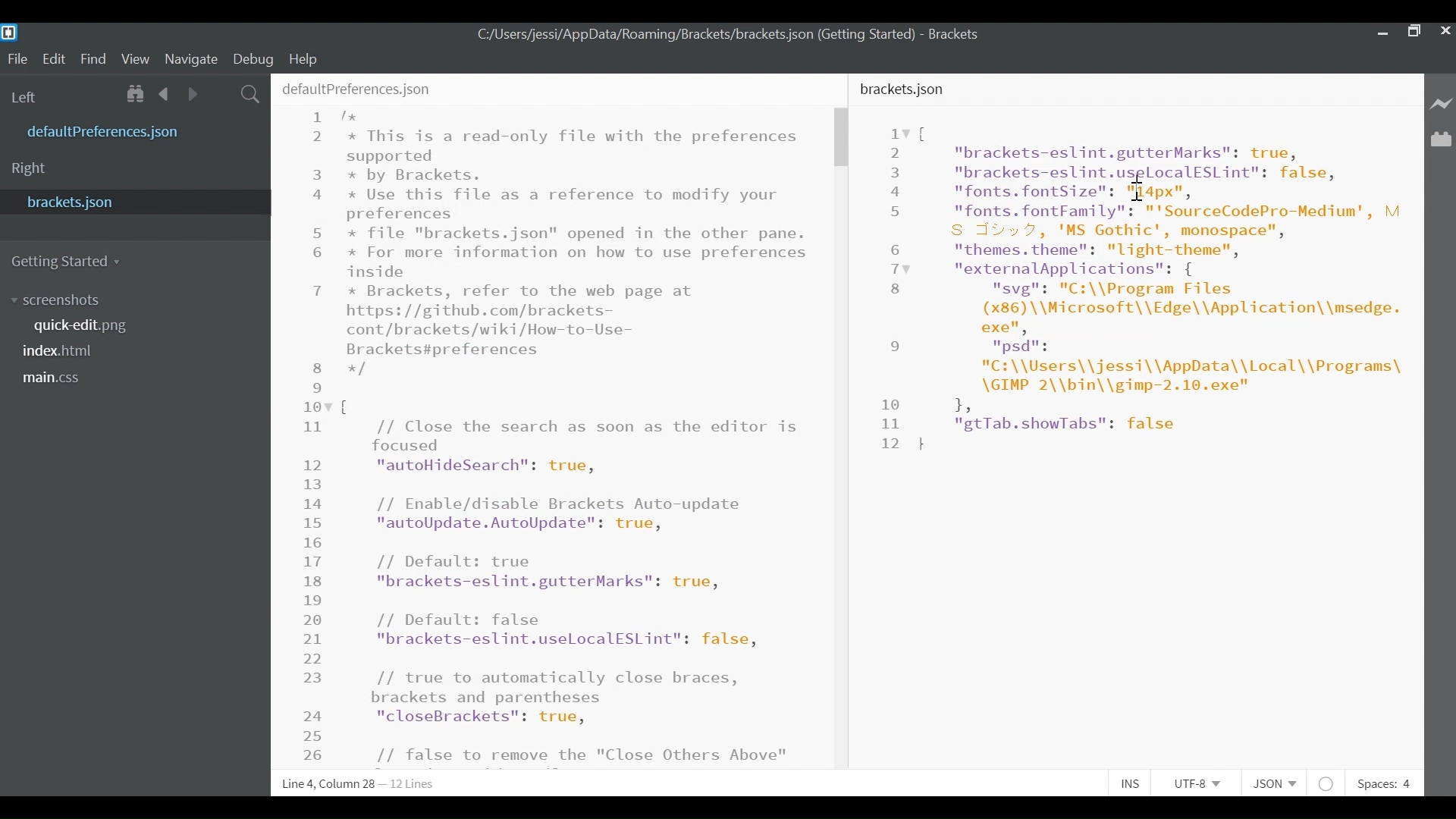 Image resolution: width=1456 pixels, height=819 pixels. Describe the element at coordinates (250, 94) in the screenshot. I see `Find in files` at that location.